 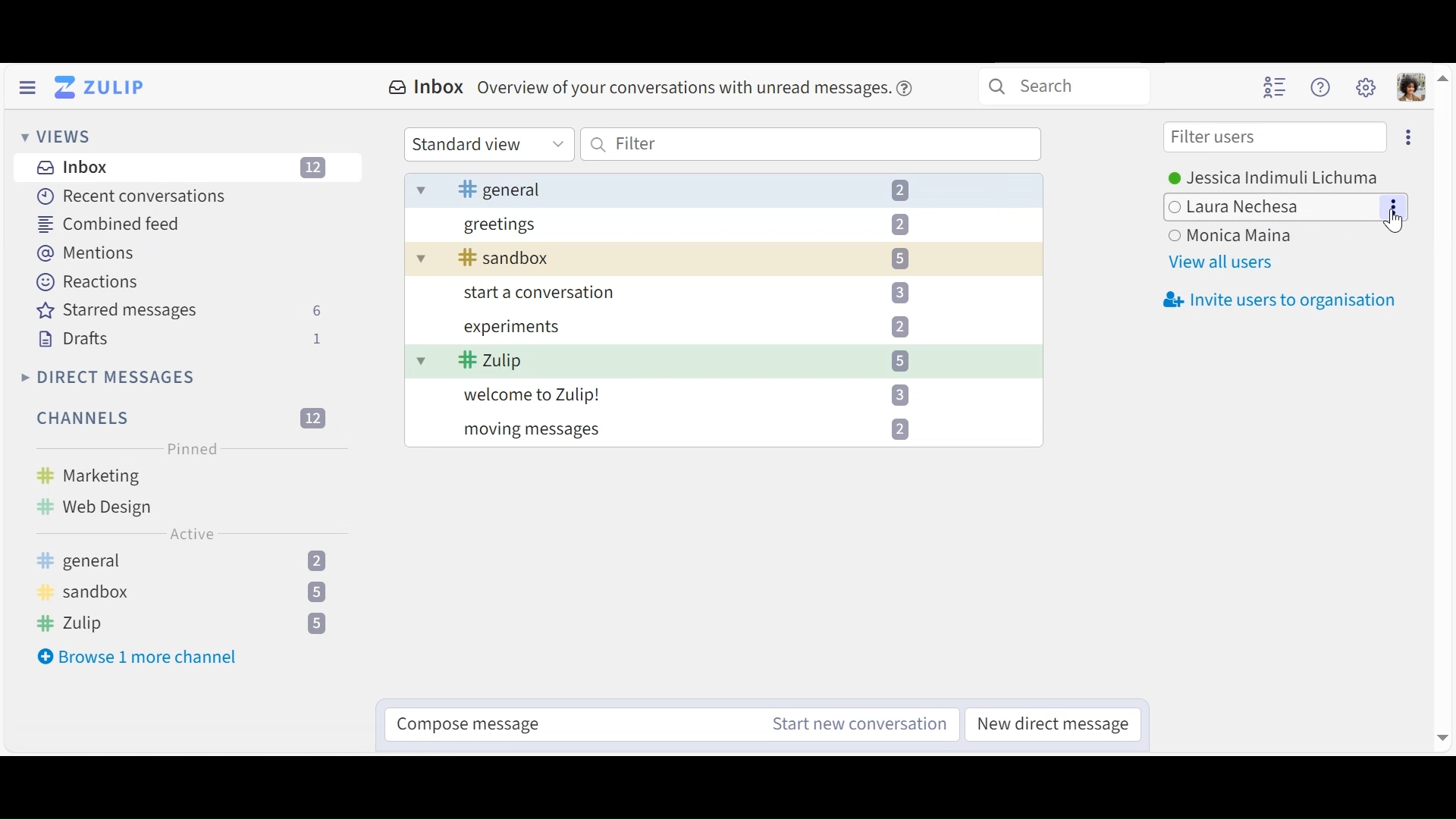 I want to click on Inbox, so click(x=657, y=89).